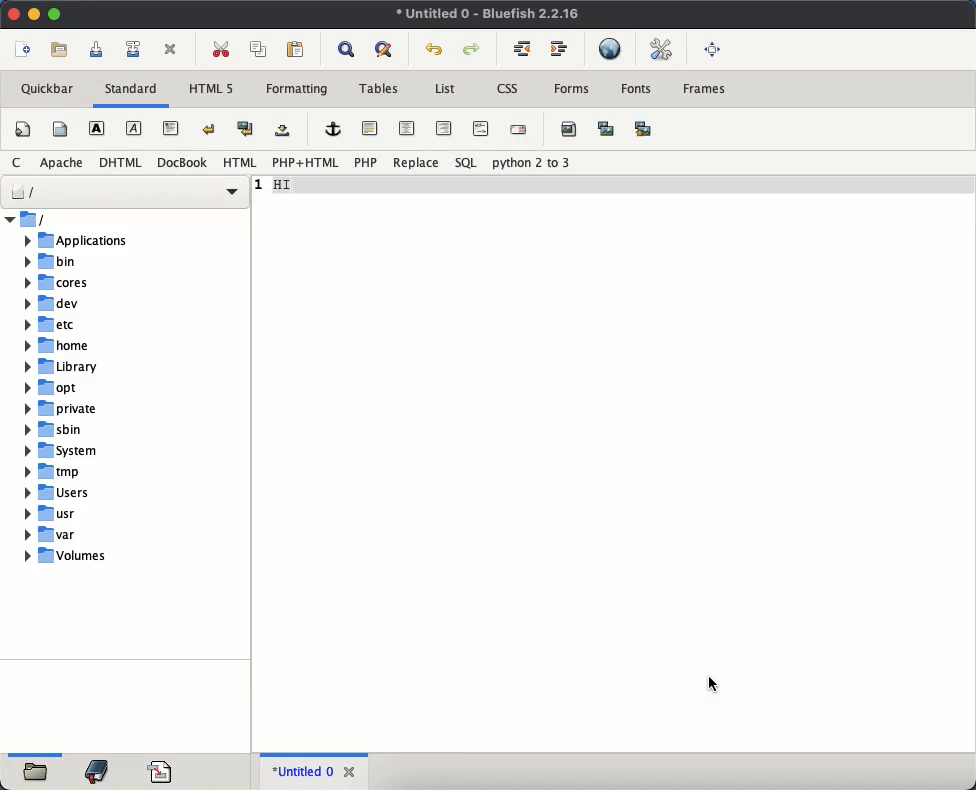 The image size is (976, 790). I want to click on usr, so click(101, 514).